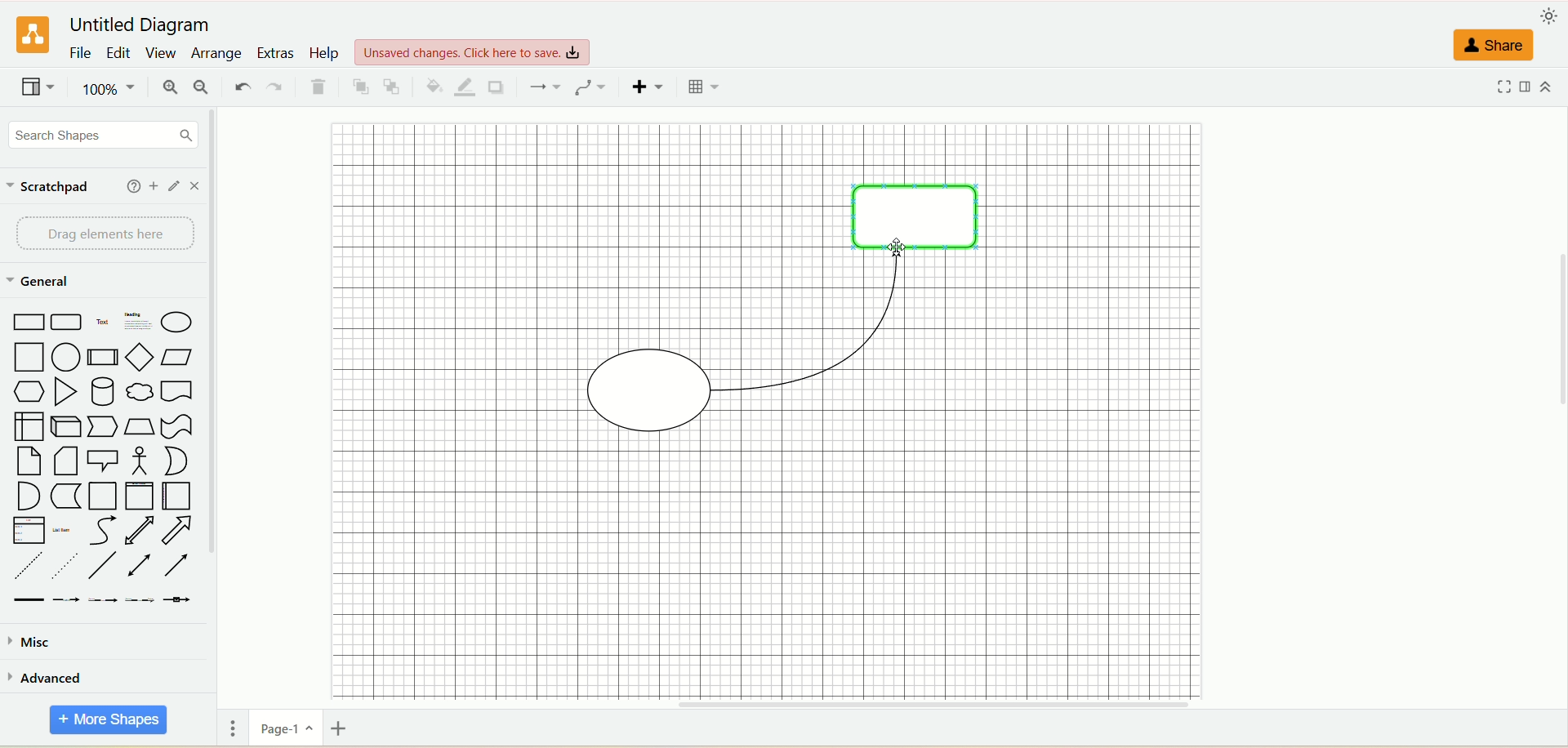 The image size is (1568, 748). What do you see at coordinates (175, 186) in the screenshot?
I see `edit` at bounding box center [175, 186].